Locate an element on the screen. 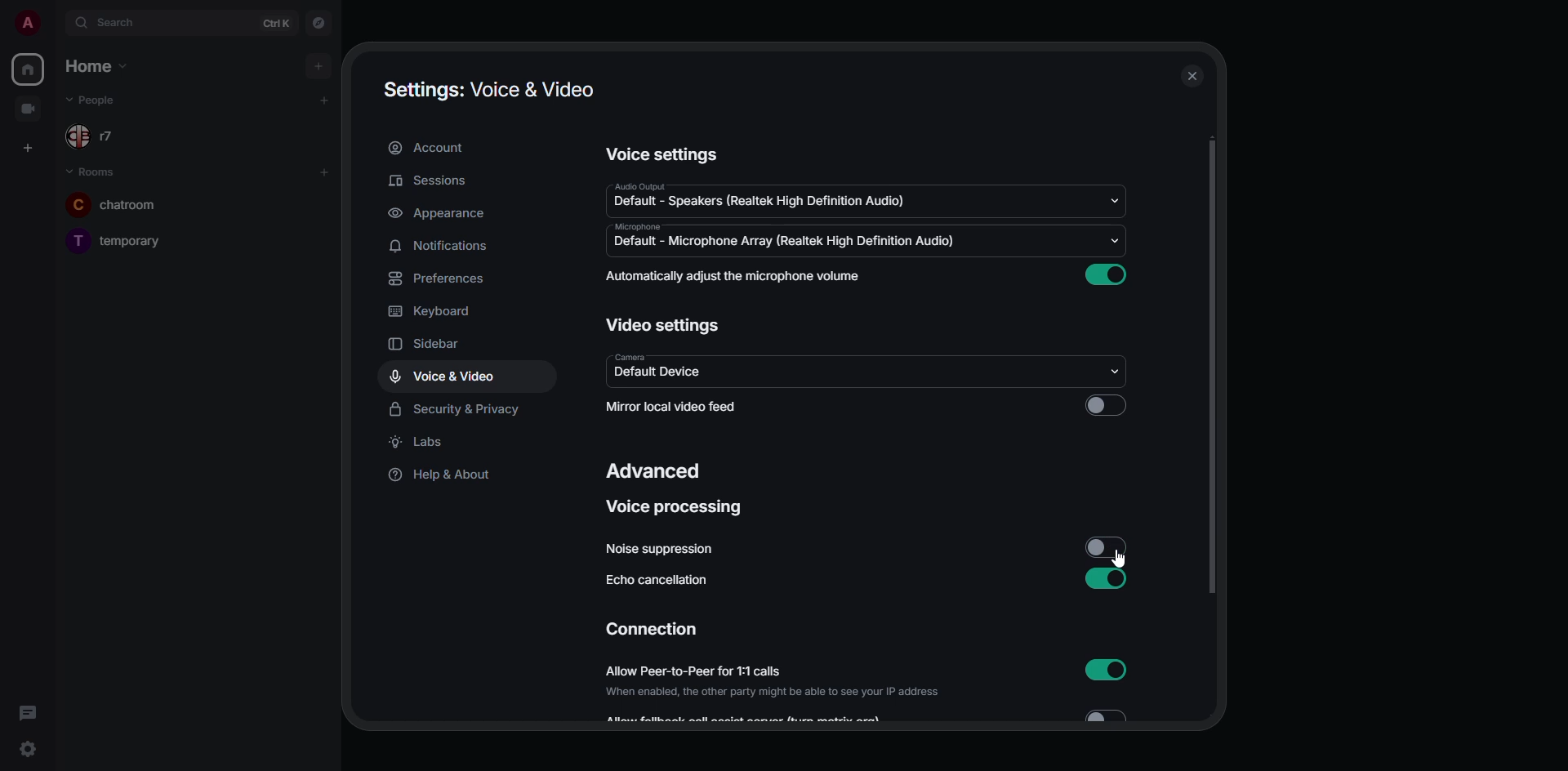 The height and width of the screenshot is (771, 1568). sidebar is located at coordinates (433, 342).